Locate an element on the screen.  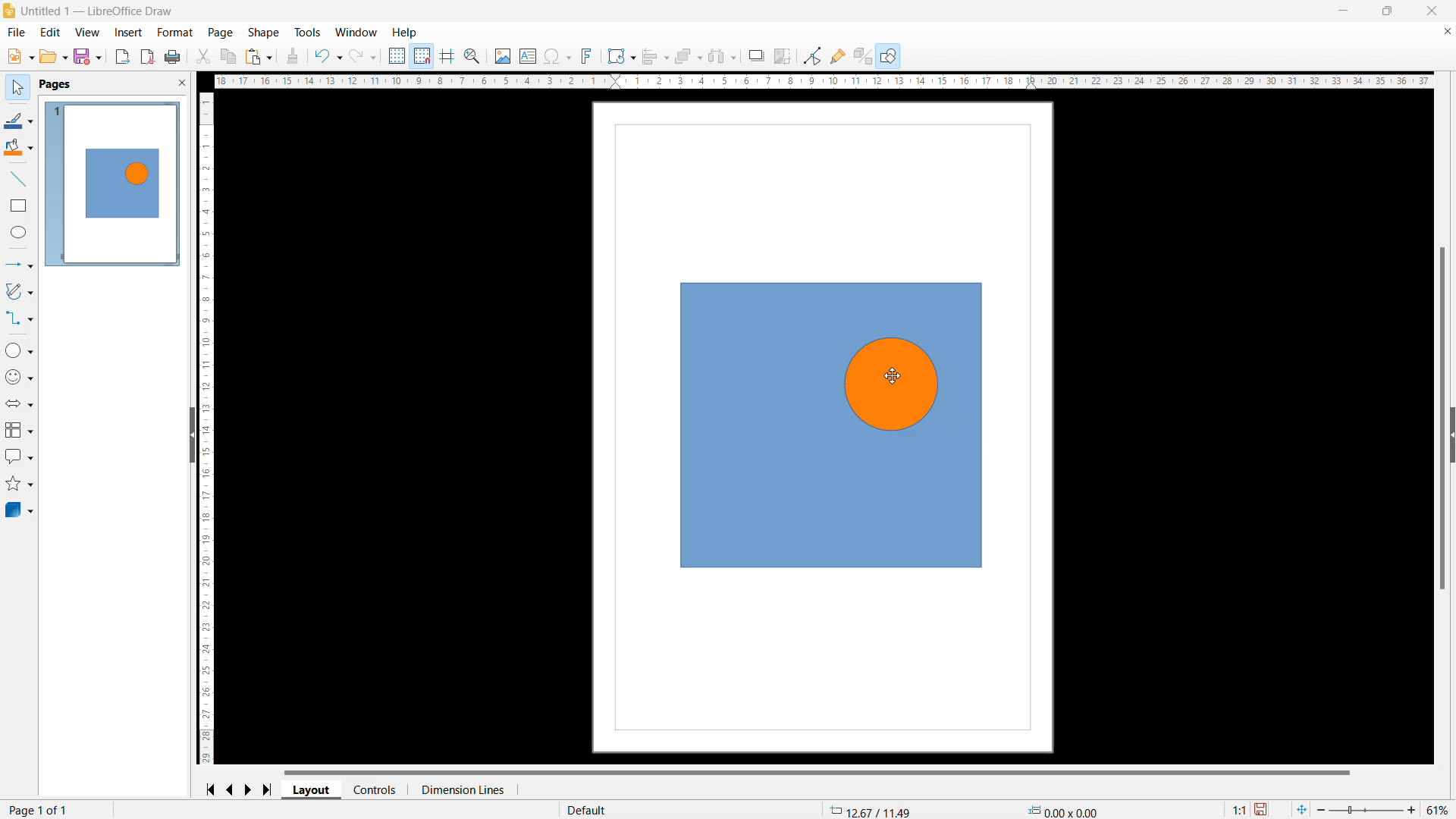
stars and banners is located at coordinates (19, 482).